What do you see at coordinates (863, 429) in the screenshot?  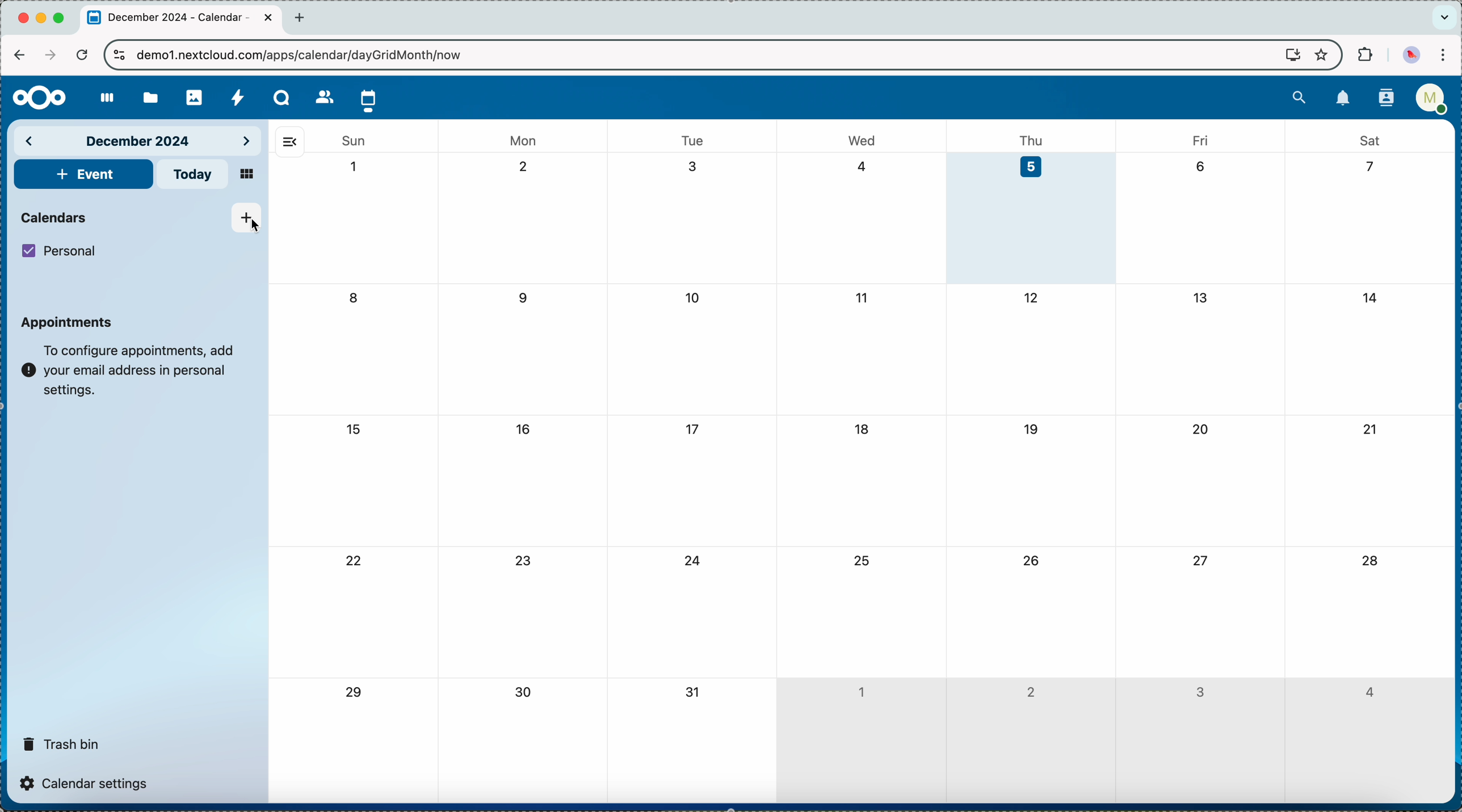 I see `18` at bounding box center [863, 429].